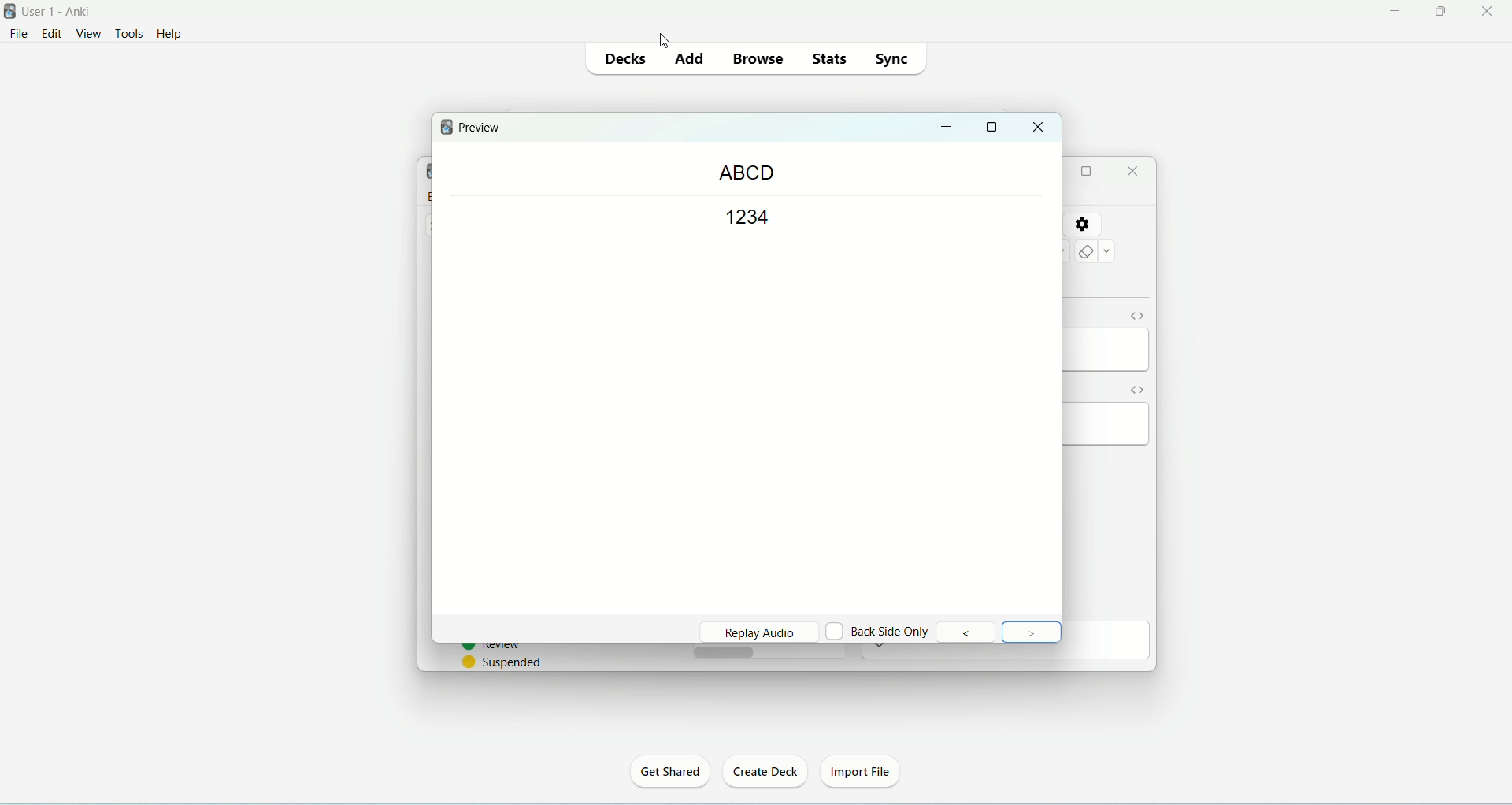 The height and width of the screenshot is (805, 1512). Describe the element at coordinates (630, 59) in the screenshot. I see `decks` at that location.